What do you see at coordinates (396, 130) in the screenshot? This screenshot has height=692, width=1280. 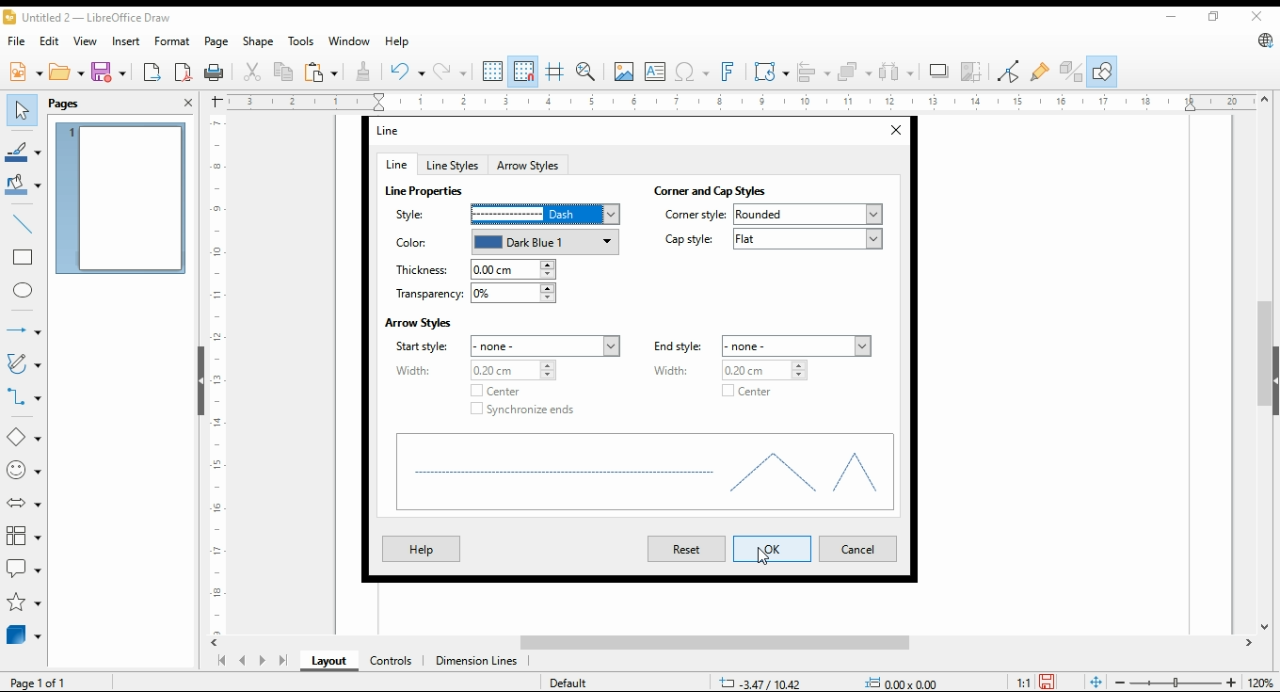 I see `line format window` at bounding box center [396, 130].